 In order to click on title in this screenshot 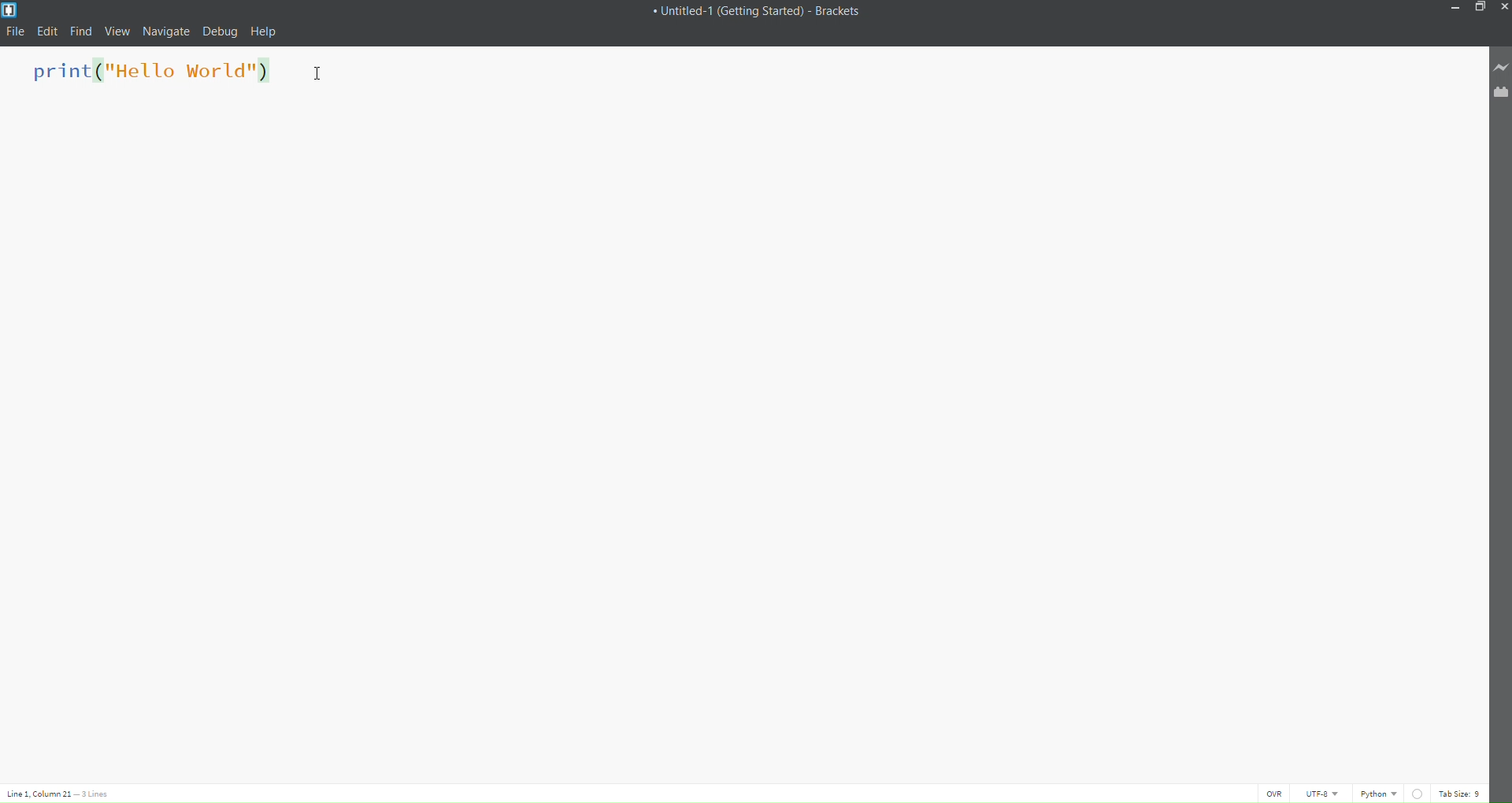, I will do `click(755, 12)`.